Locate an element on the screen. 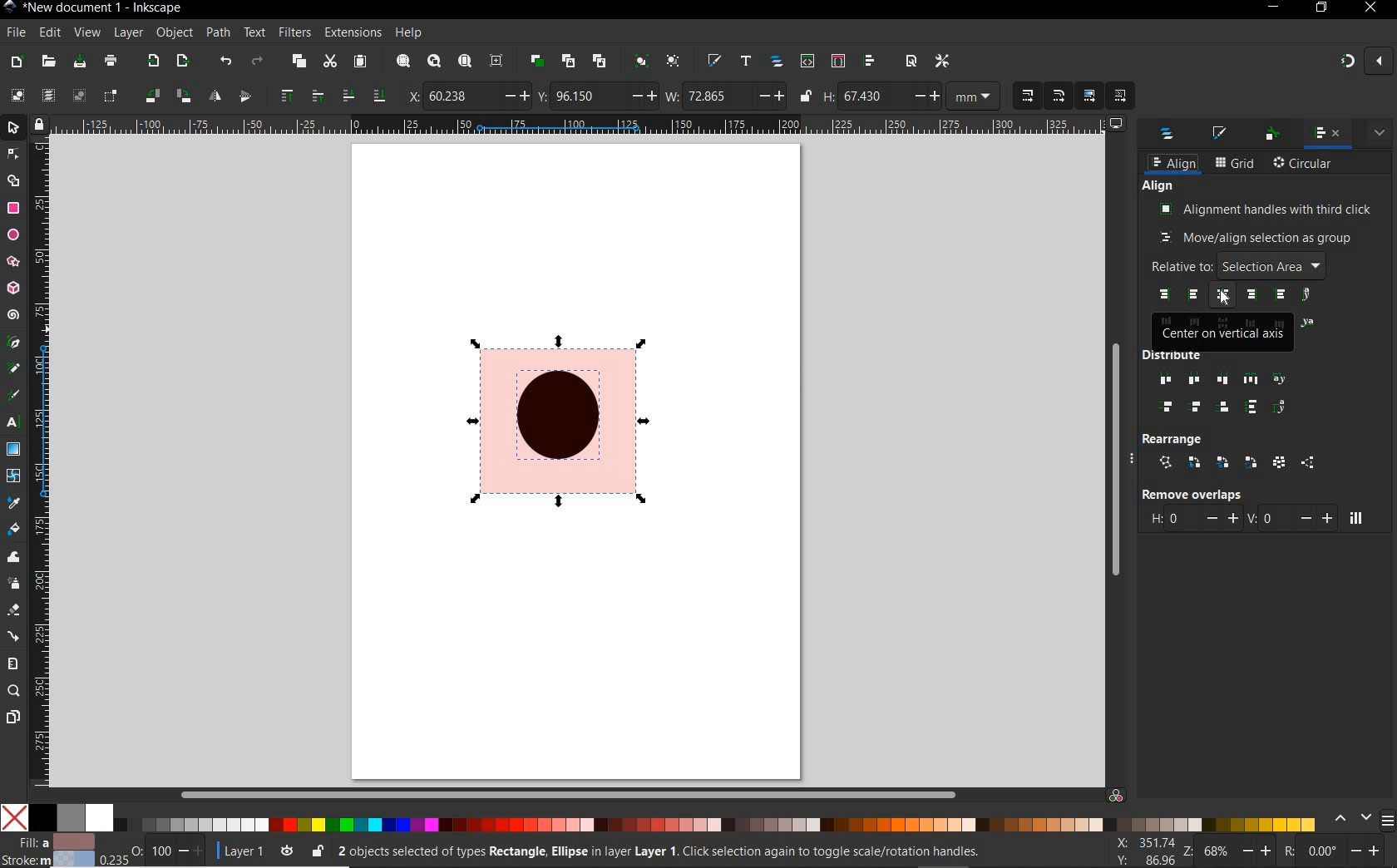 Image resolution: width=1397 pixels, height=868 pixels. help is located at coordinates (409, 33).